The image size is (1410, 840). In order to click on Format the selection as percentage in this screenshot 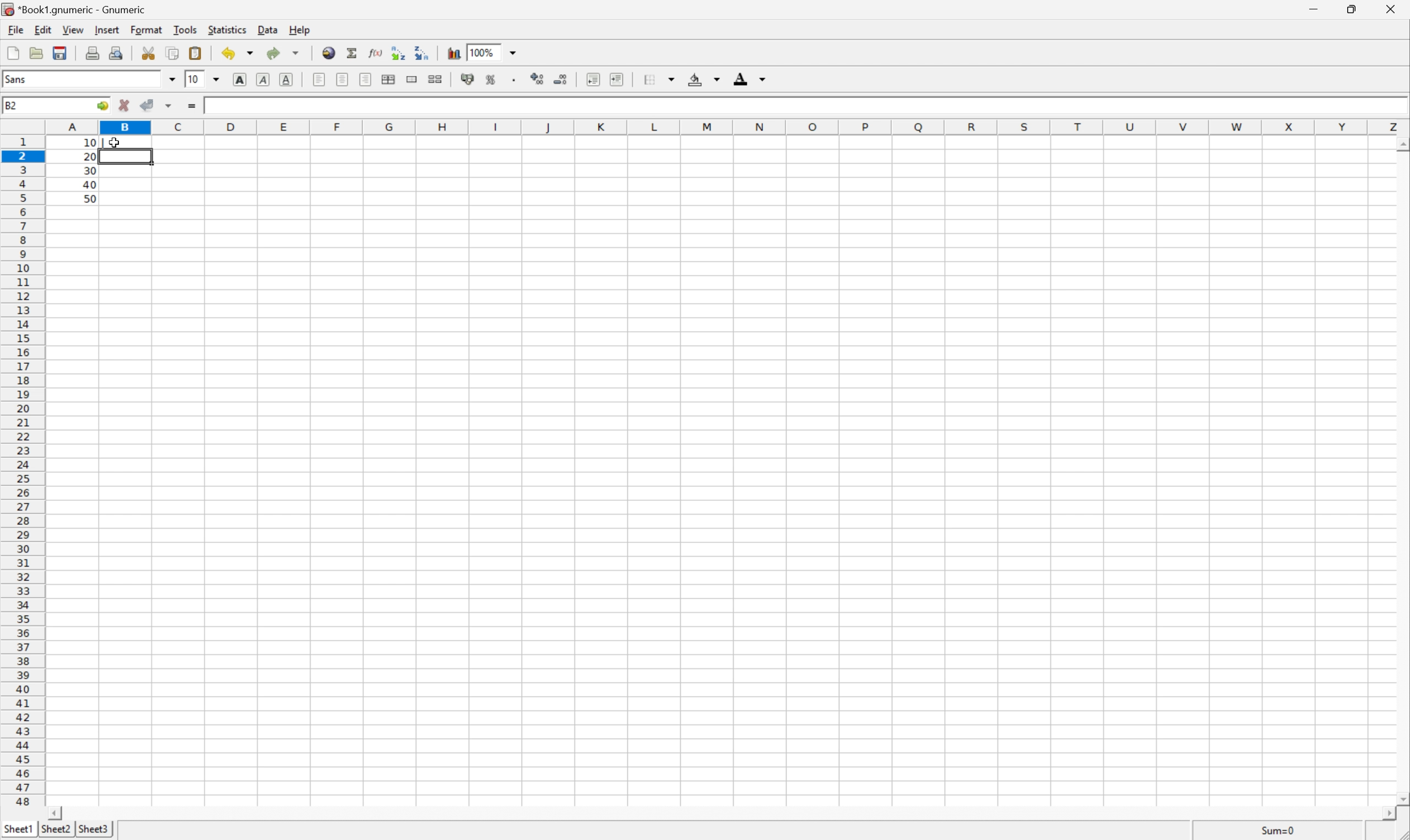, I will do `click(488, 79)`.